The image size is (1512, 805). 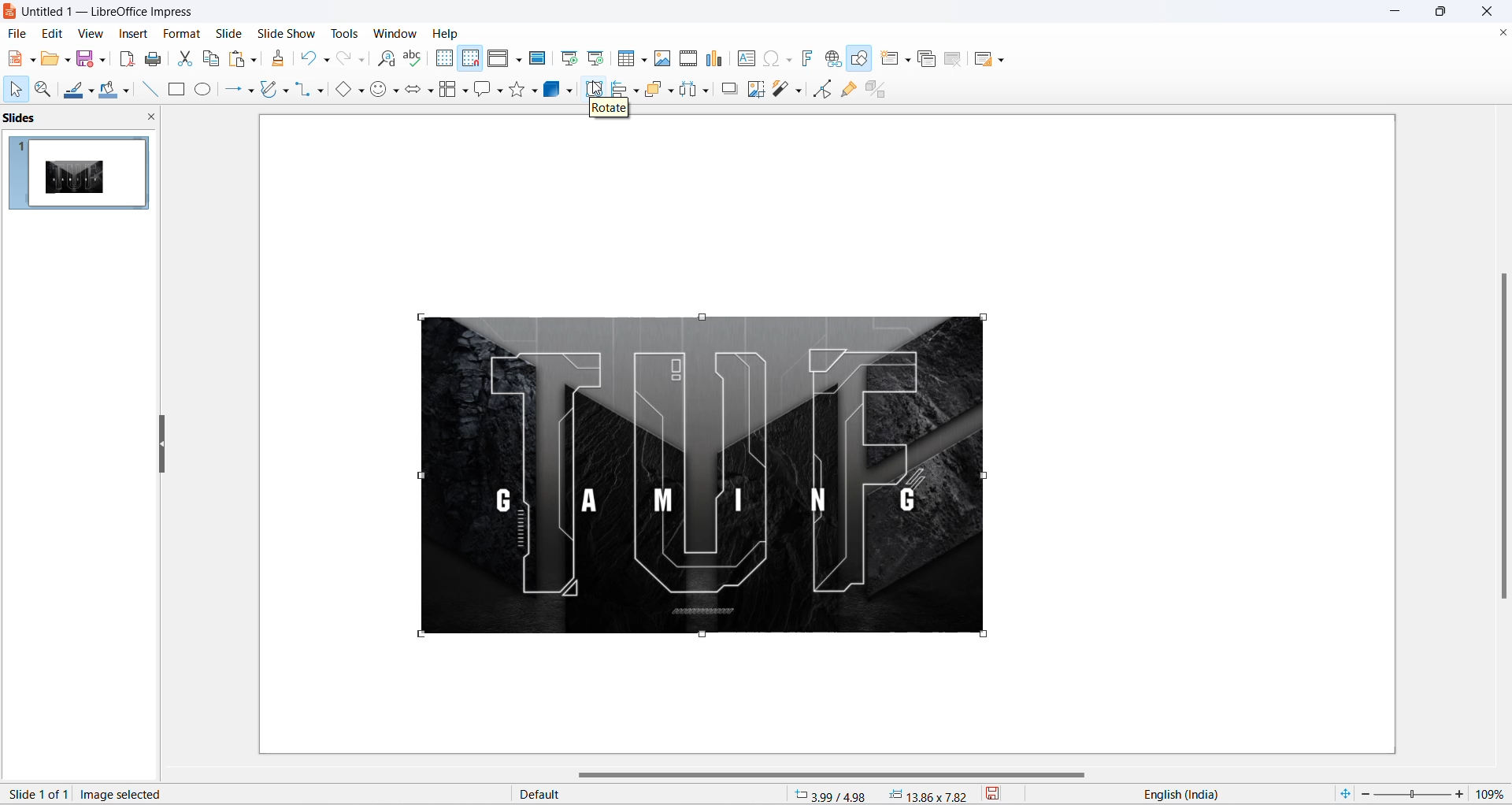 I want to click on undo, so click(x=309, y=57).